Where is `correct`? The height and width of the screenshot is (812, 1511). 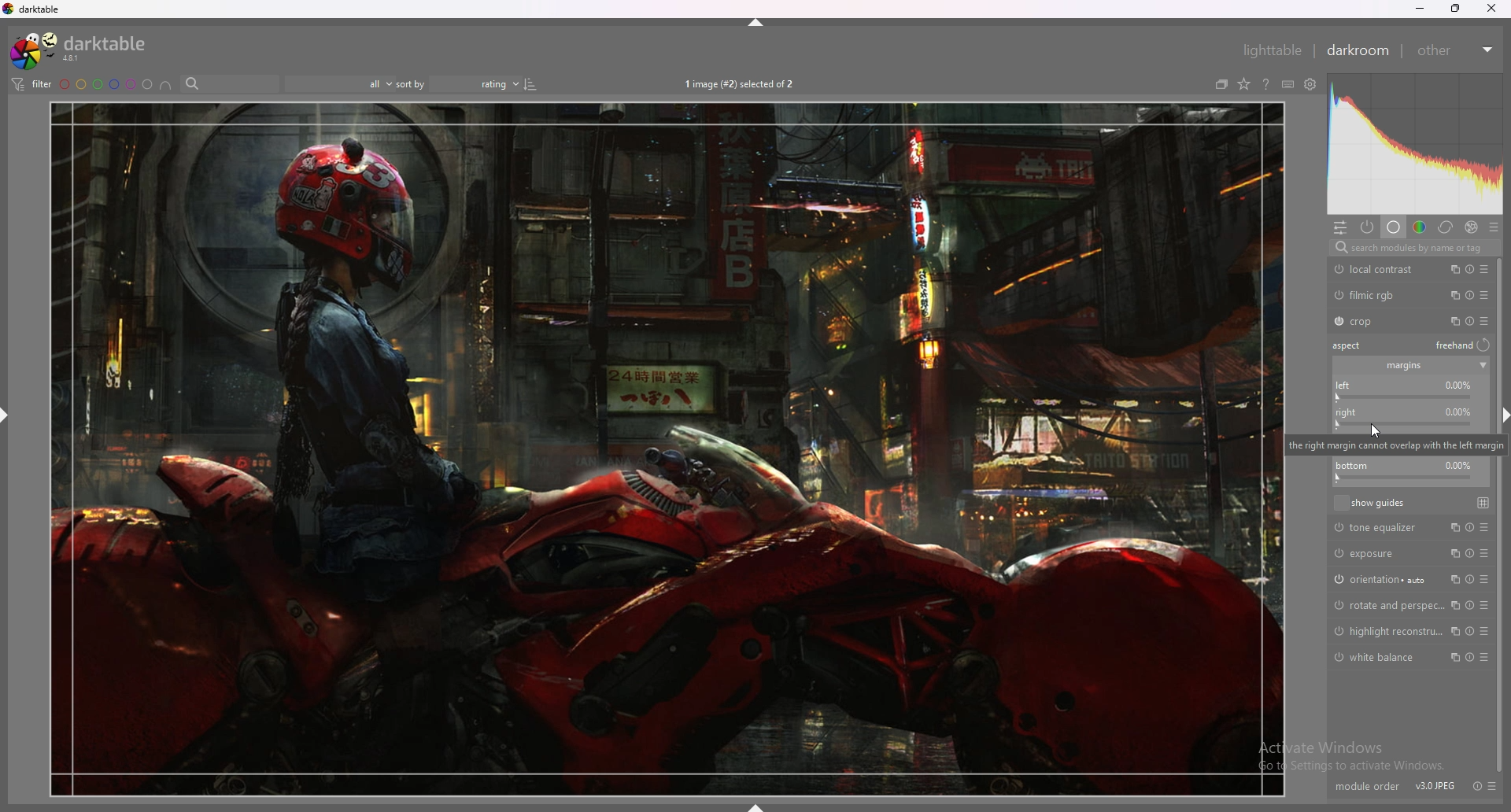 correct is located at coordinates (1446, 227).